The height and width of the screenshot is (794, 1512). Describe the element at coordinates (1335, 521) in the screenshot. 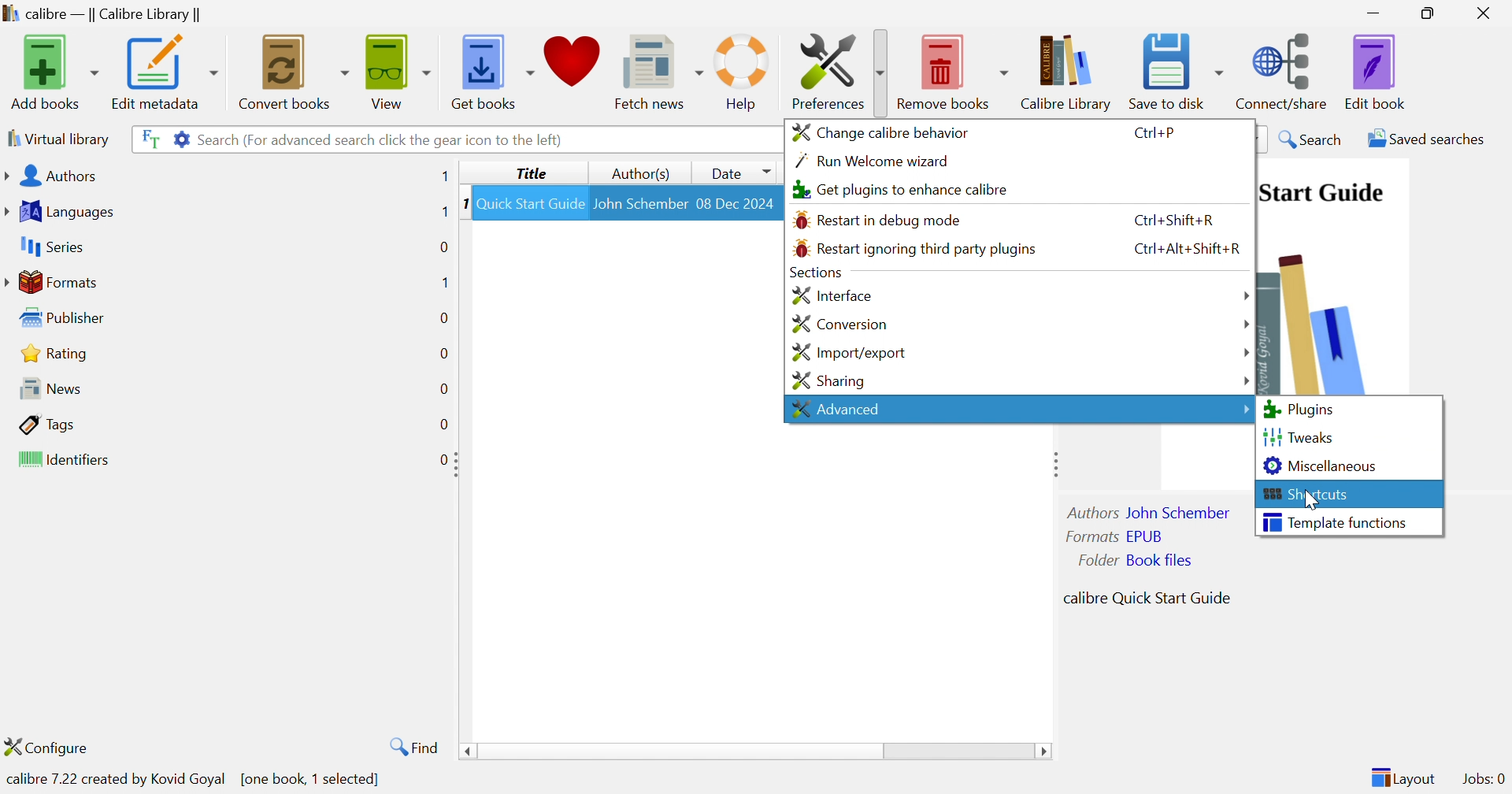

I see `Template functions` at that location.